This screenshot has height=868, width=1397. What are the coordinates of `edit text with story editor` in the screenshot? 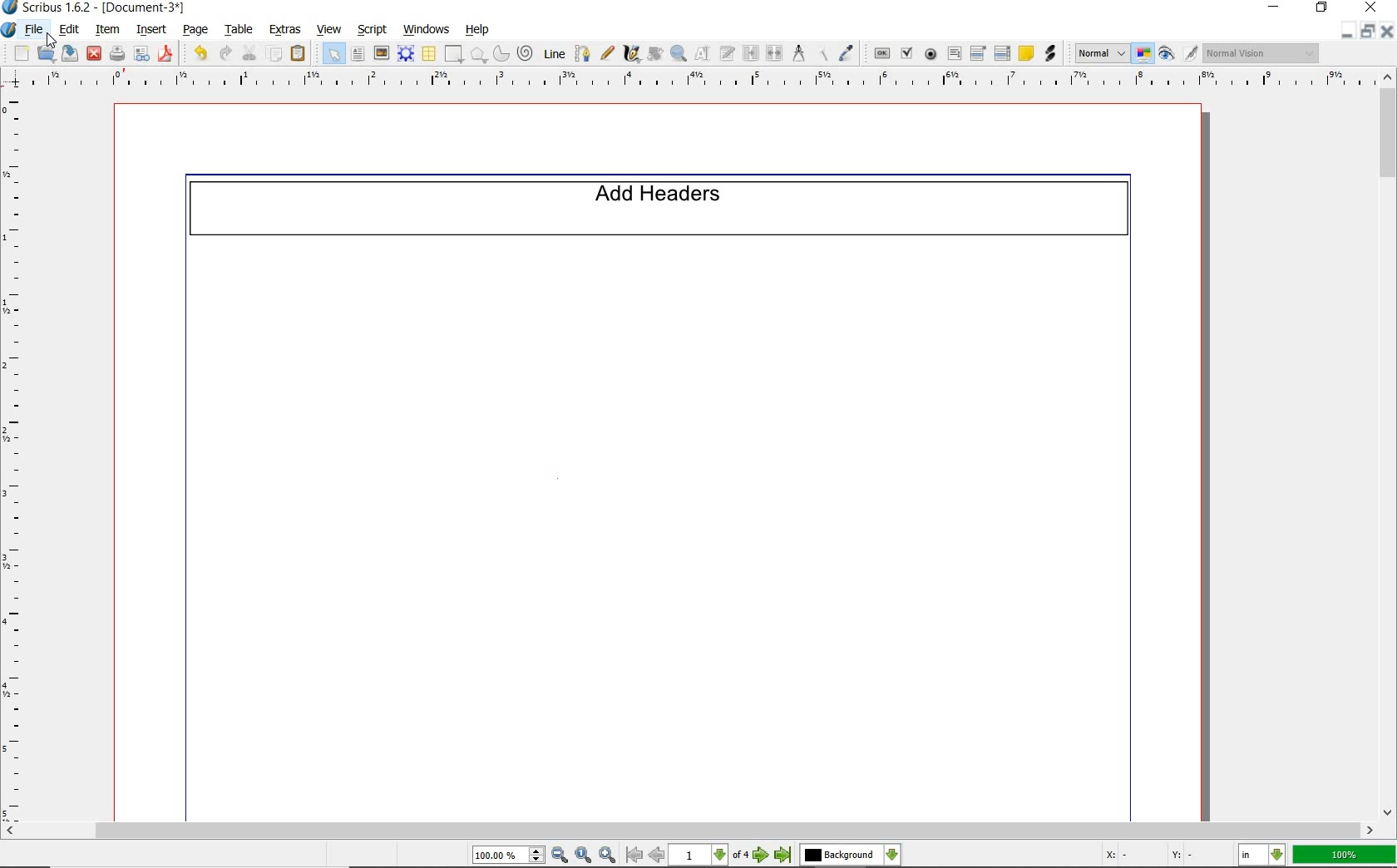 It's located at (726, 52).